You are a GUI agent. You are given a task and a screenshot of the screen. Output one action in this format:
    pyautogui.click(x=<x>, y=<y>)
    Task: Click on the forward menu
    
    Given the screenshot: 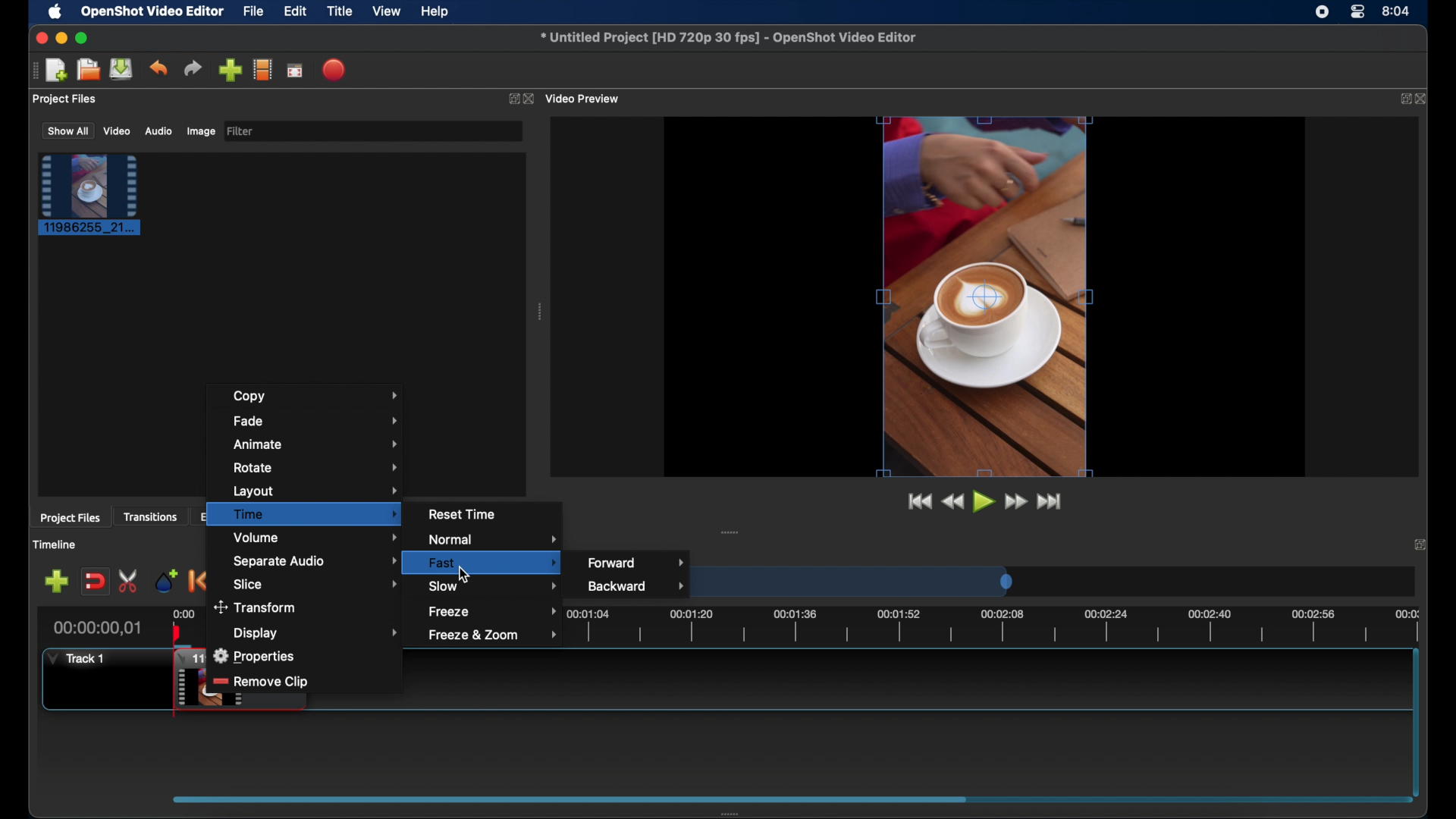 What is the action you would take?
    pyautogui.click(x=636, y=562)
    